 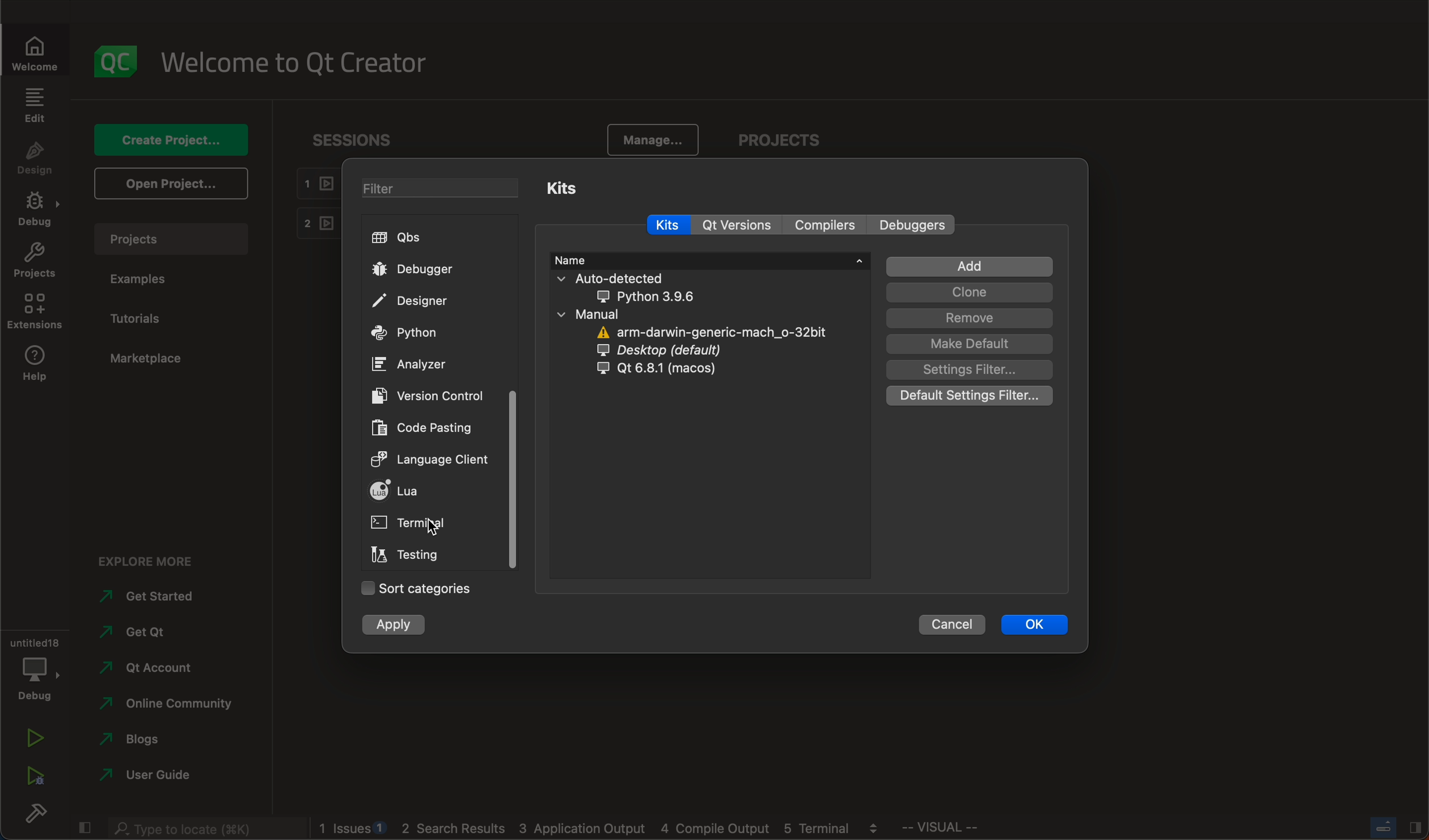 I want to click on apply, so click(x=407, y=627).